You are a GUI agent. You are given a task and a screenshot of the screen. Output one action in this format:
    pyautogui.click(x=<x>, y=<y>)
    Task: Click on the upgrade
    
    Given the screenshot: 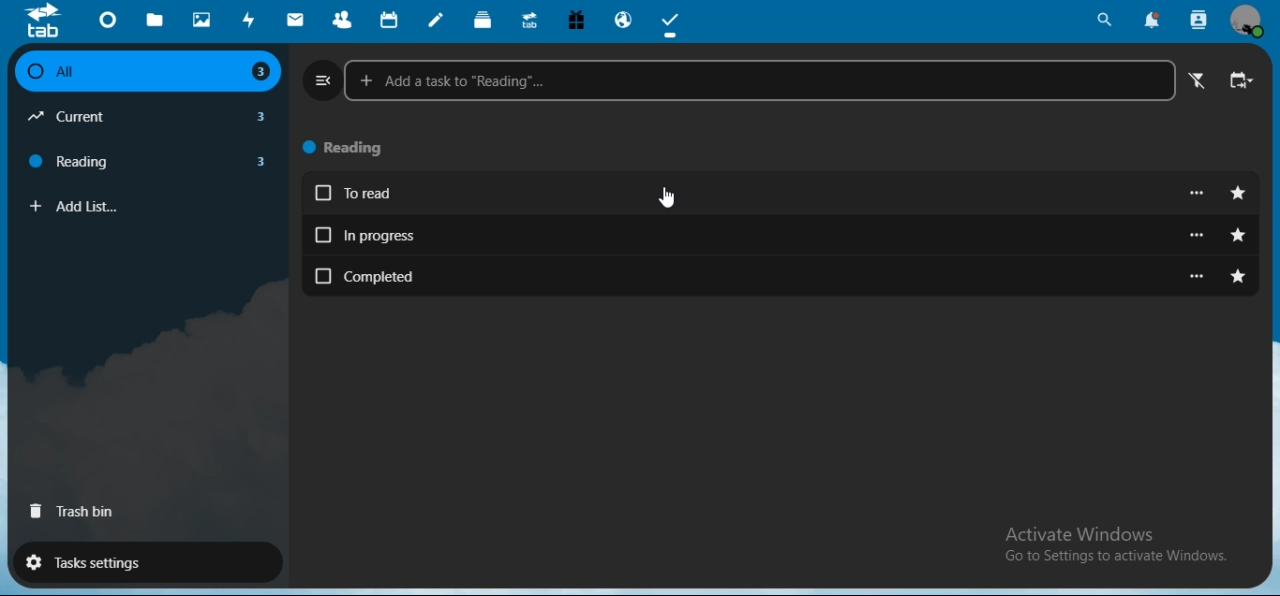 What is the action you would take?
    pyautogui.click(x=530, y=20)
    